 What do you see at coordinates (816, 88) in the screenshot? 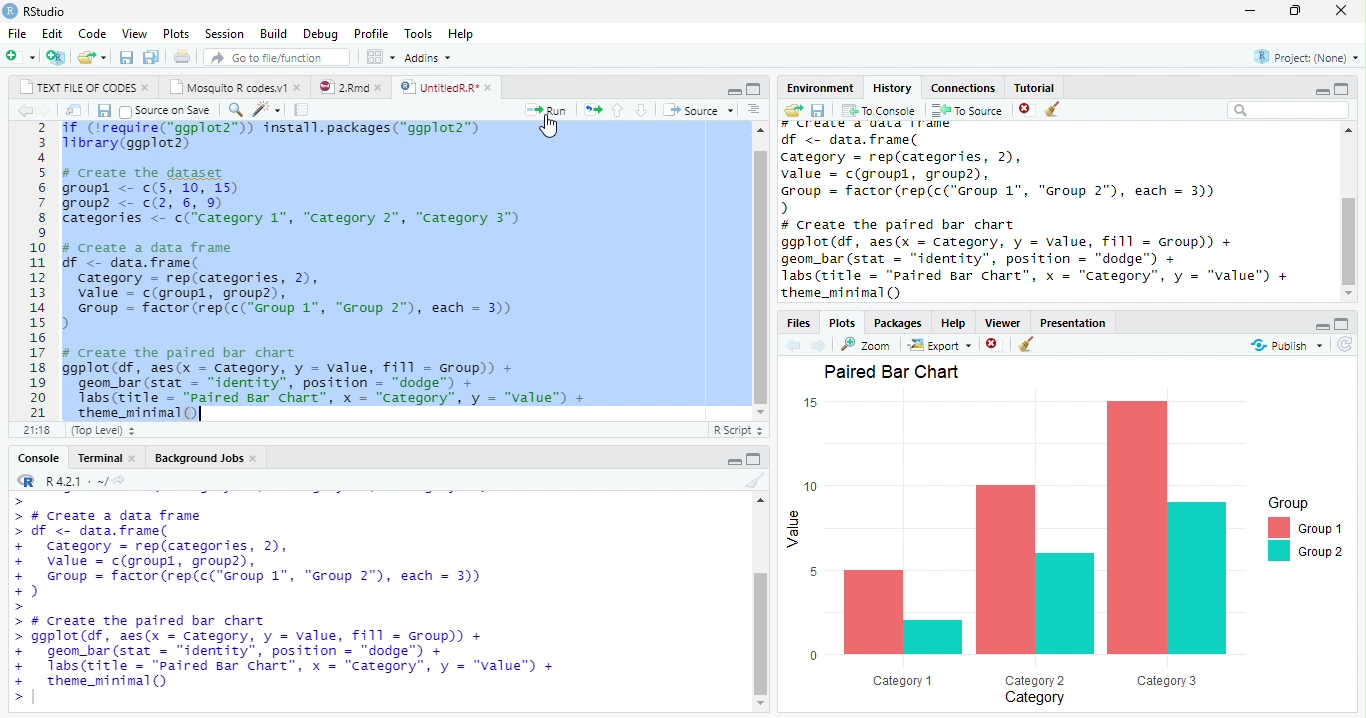
I see `environment` at bounding box center [816, 88].